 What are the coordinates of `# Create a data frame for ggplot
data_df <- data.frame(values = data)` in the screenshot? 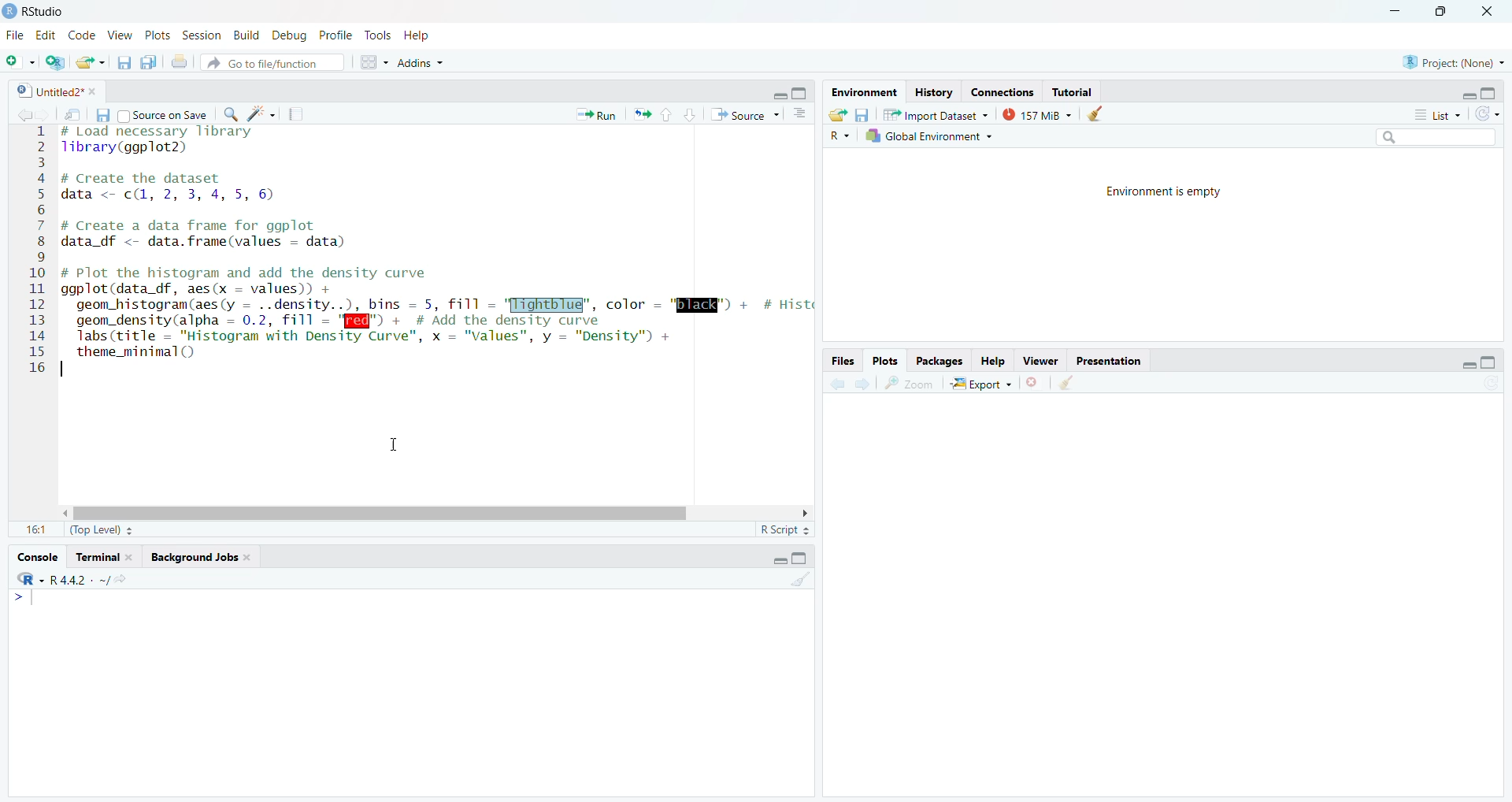 It's located at (208, 236).